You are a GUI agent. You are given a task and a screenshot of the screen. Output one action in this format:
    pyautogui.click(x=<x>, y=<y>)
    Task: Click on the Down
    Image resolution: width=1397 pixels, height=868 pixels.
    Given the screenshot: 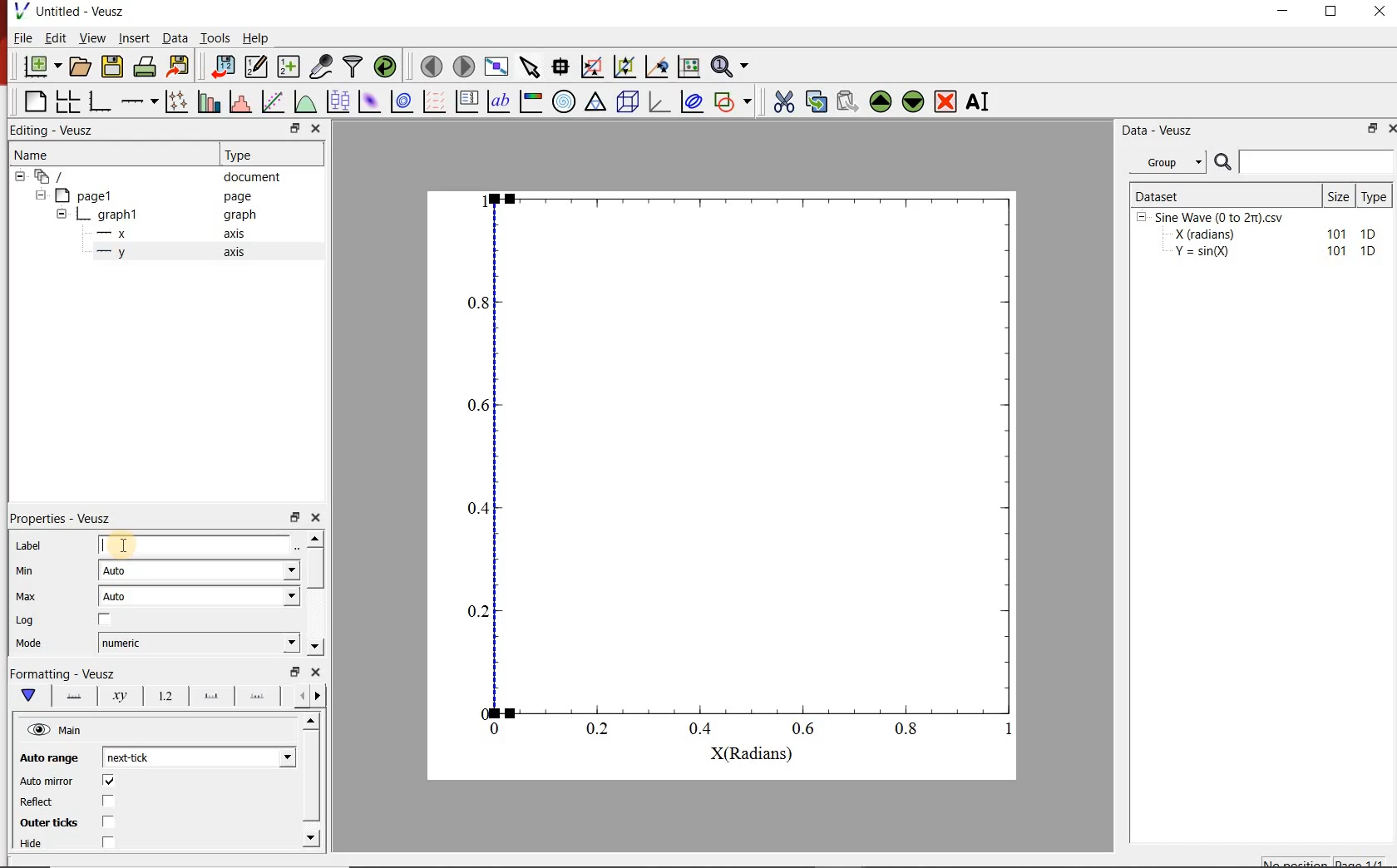 What is the action you would take?
    pyautogui.click(x=315, y=647)
    